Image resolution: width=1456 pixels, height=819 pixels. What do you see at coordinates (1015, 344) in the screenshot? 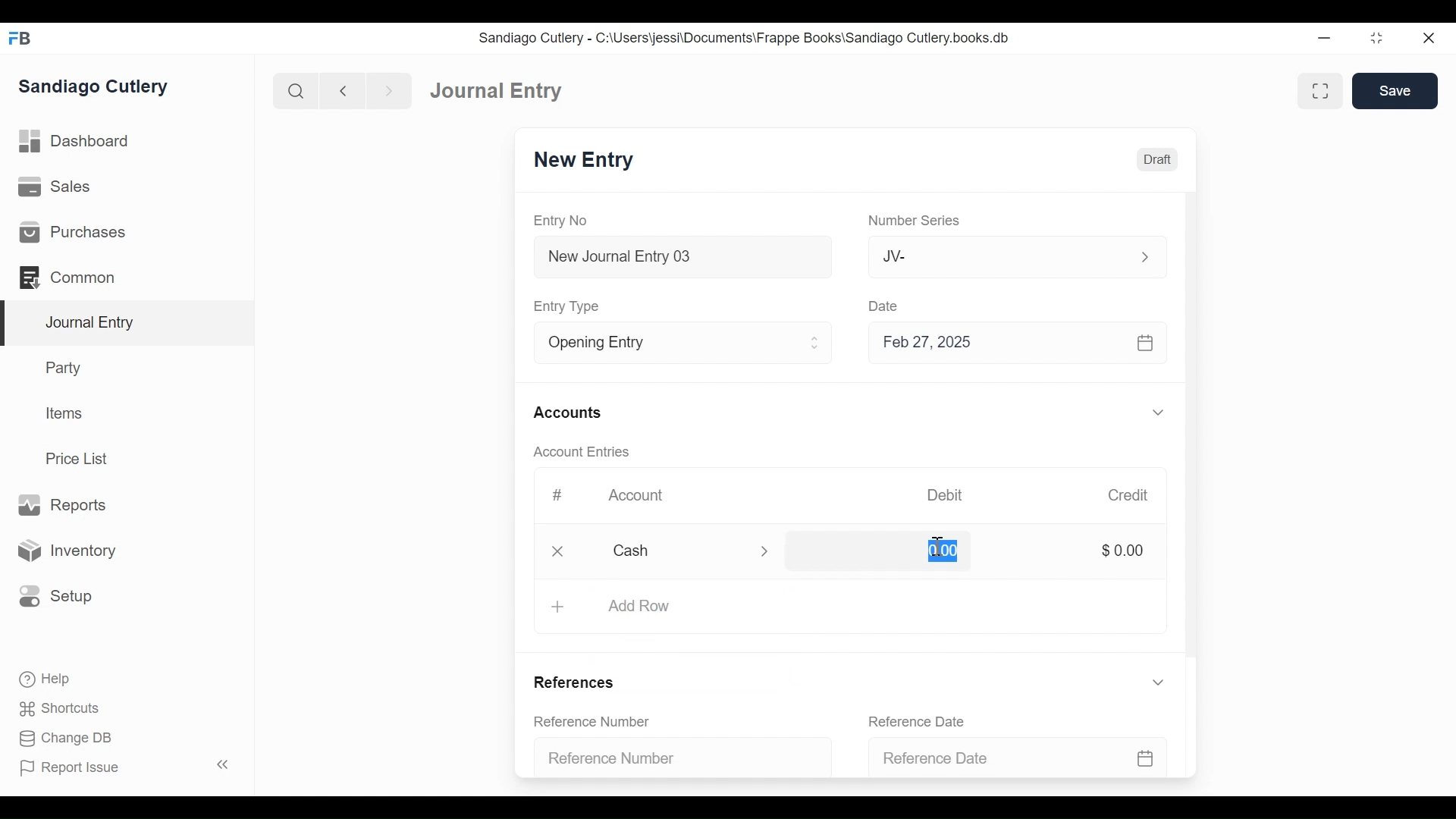
I see `Feb 27, 2025` at bounding box center [1015, 344].